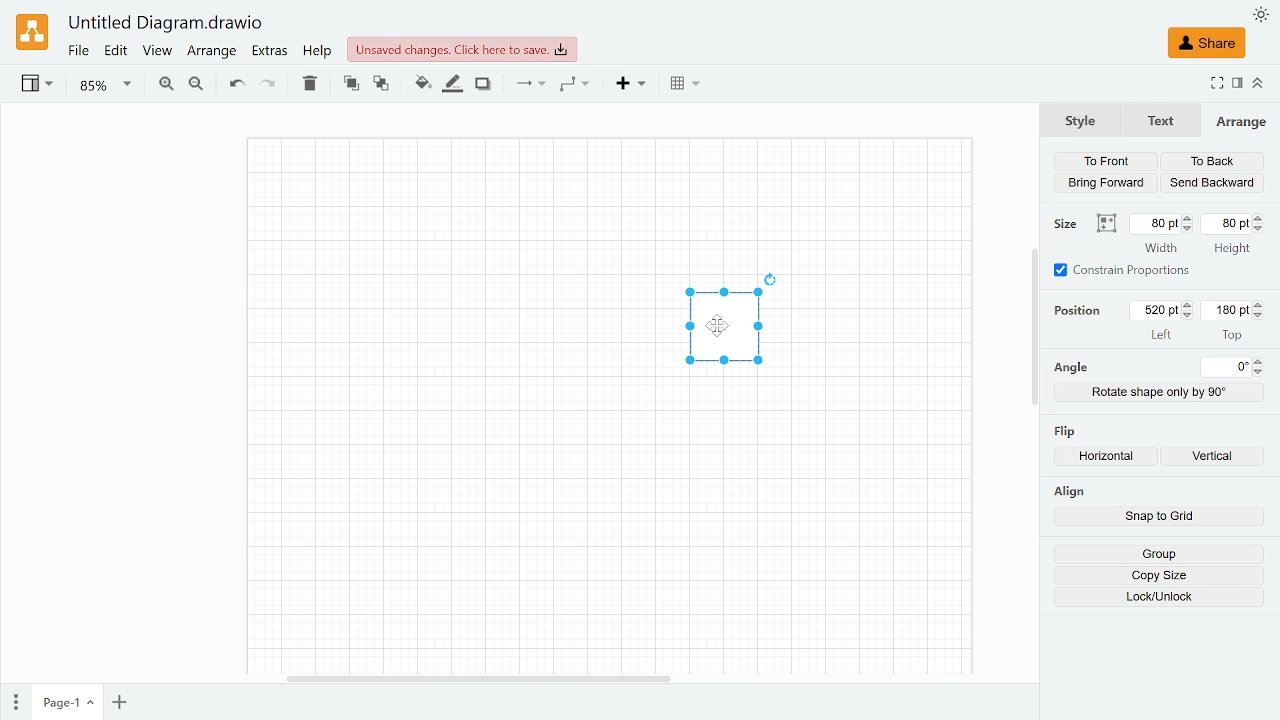  Describe the element at coordinates (1111, 458) in the screenshot. I see `Flip horizontally` at that location.